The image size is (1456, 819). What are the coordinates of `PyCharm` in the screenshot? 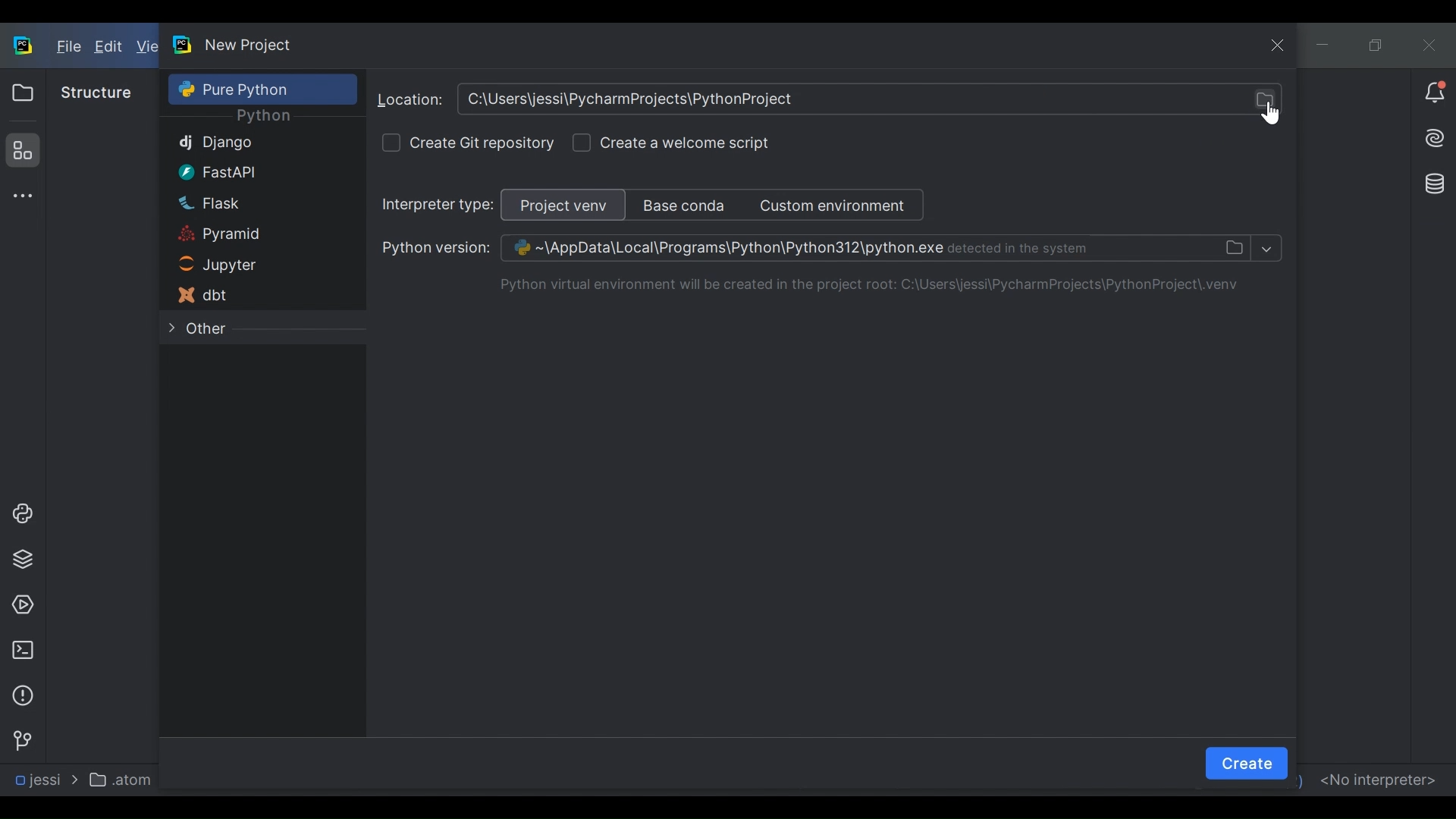 It's located at (184, 44).